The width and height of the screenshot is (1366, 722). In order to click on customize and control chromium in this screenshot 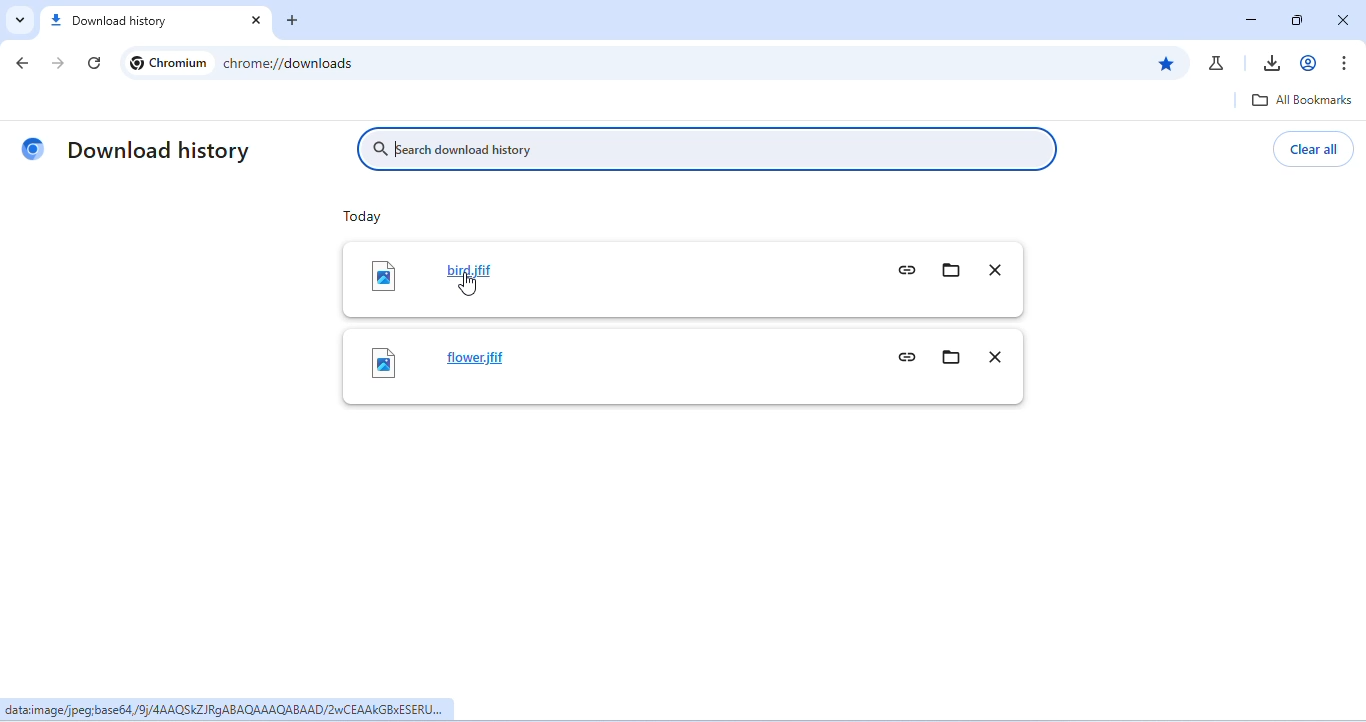, I will do `click(1343, 65)`.